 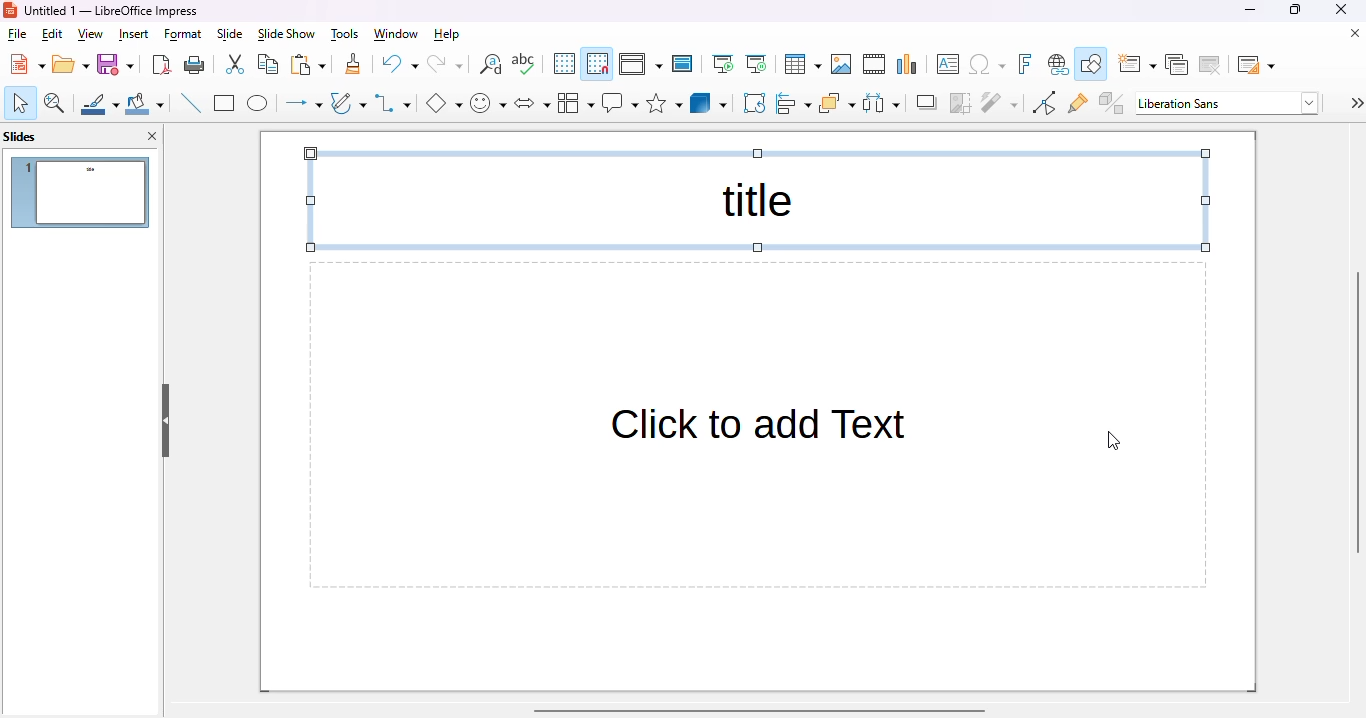 What do you see at coordinates (1045, 102) in the screenshot?
I see `toggle point edit mode` at bounding box center [1045, 102].